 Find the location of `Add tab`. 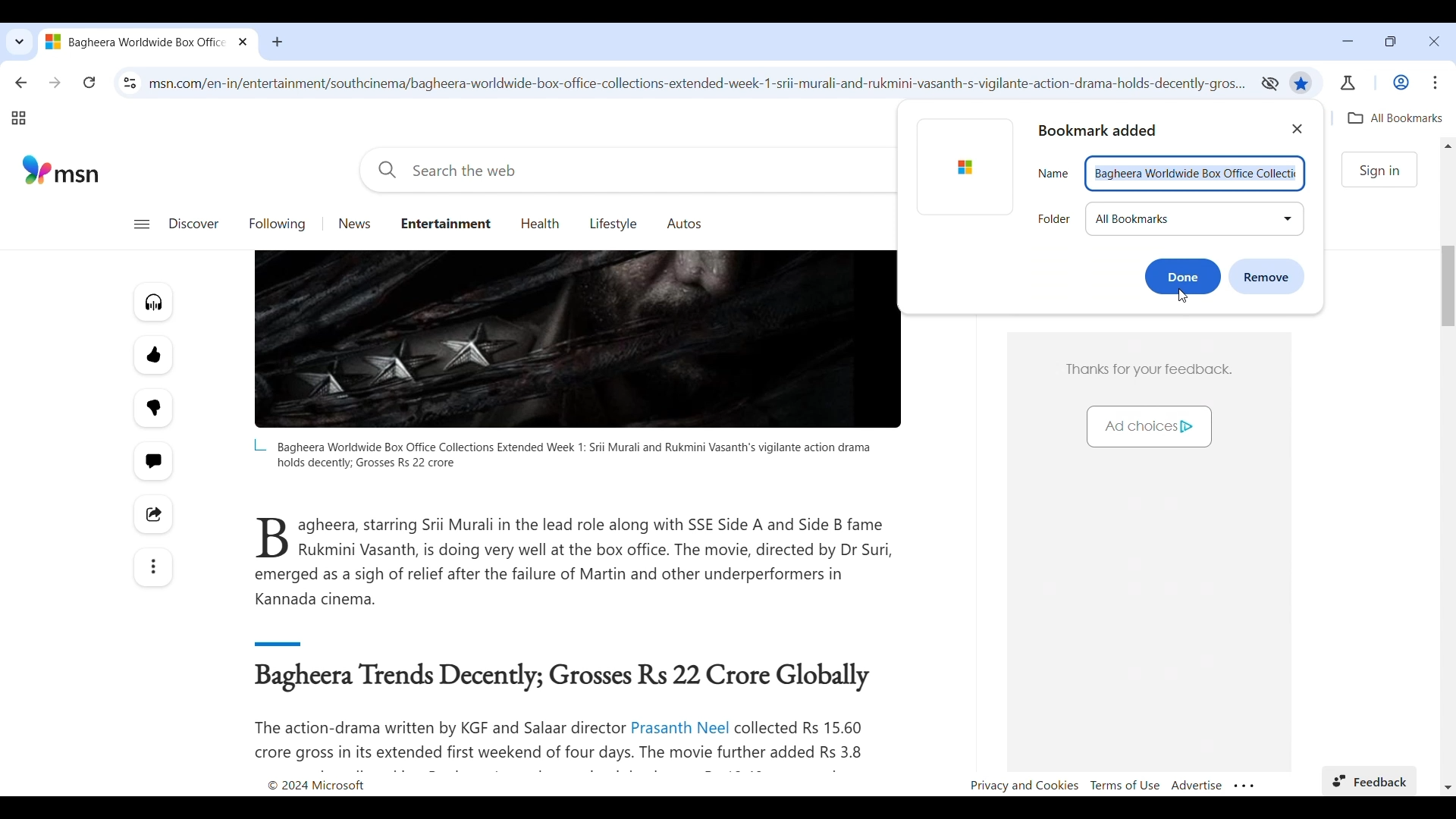

Add tab is located at coordinates (277, 42).